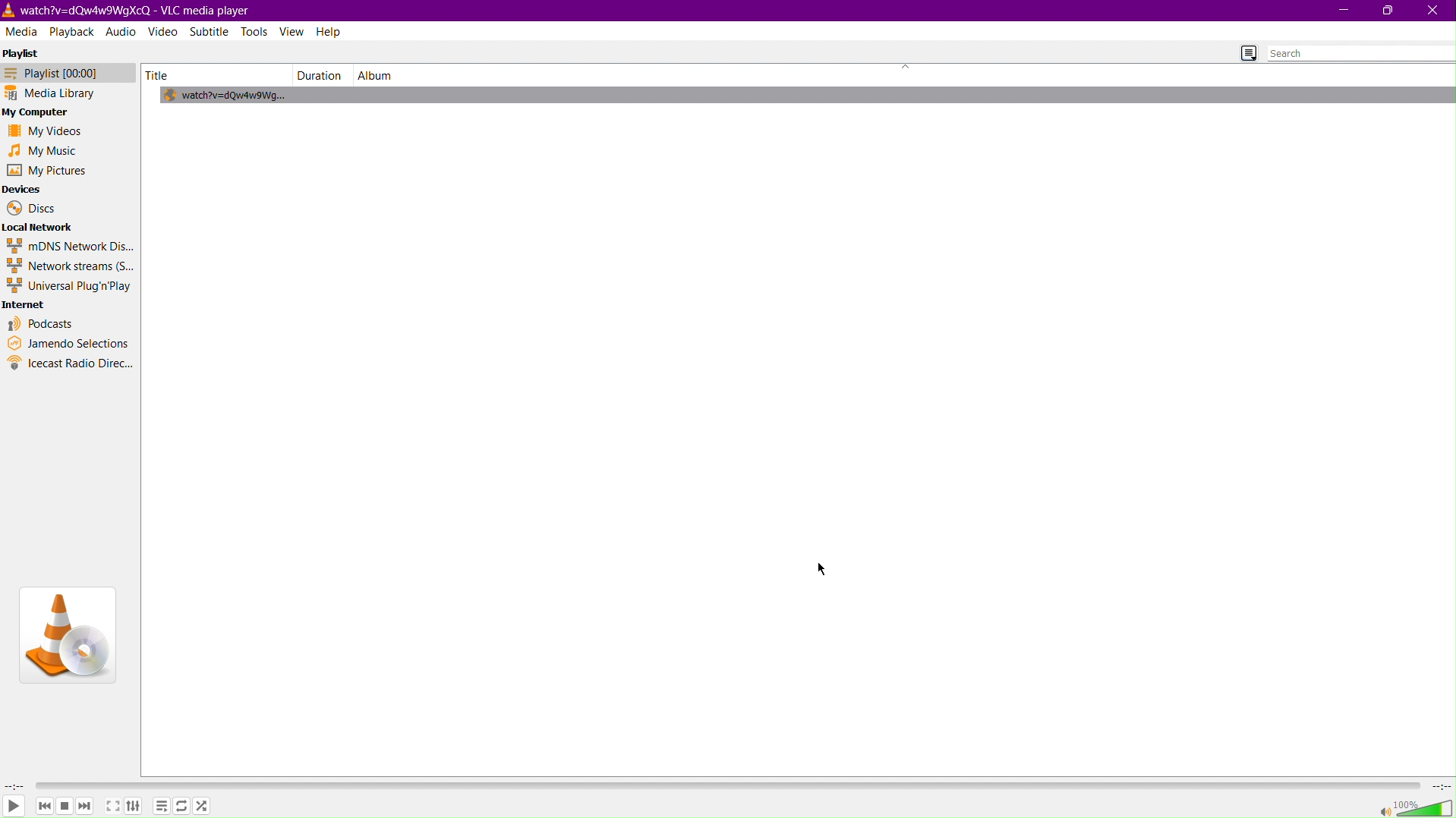 The width and height of the screenshot is (1456, 818). What do you see at coordinates (70, 364) in the screenshot?
I see `Icecast Radio Directory` at bounding box center [70, 364].